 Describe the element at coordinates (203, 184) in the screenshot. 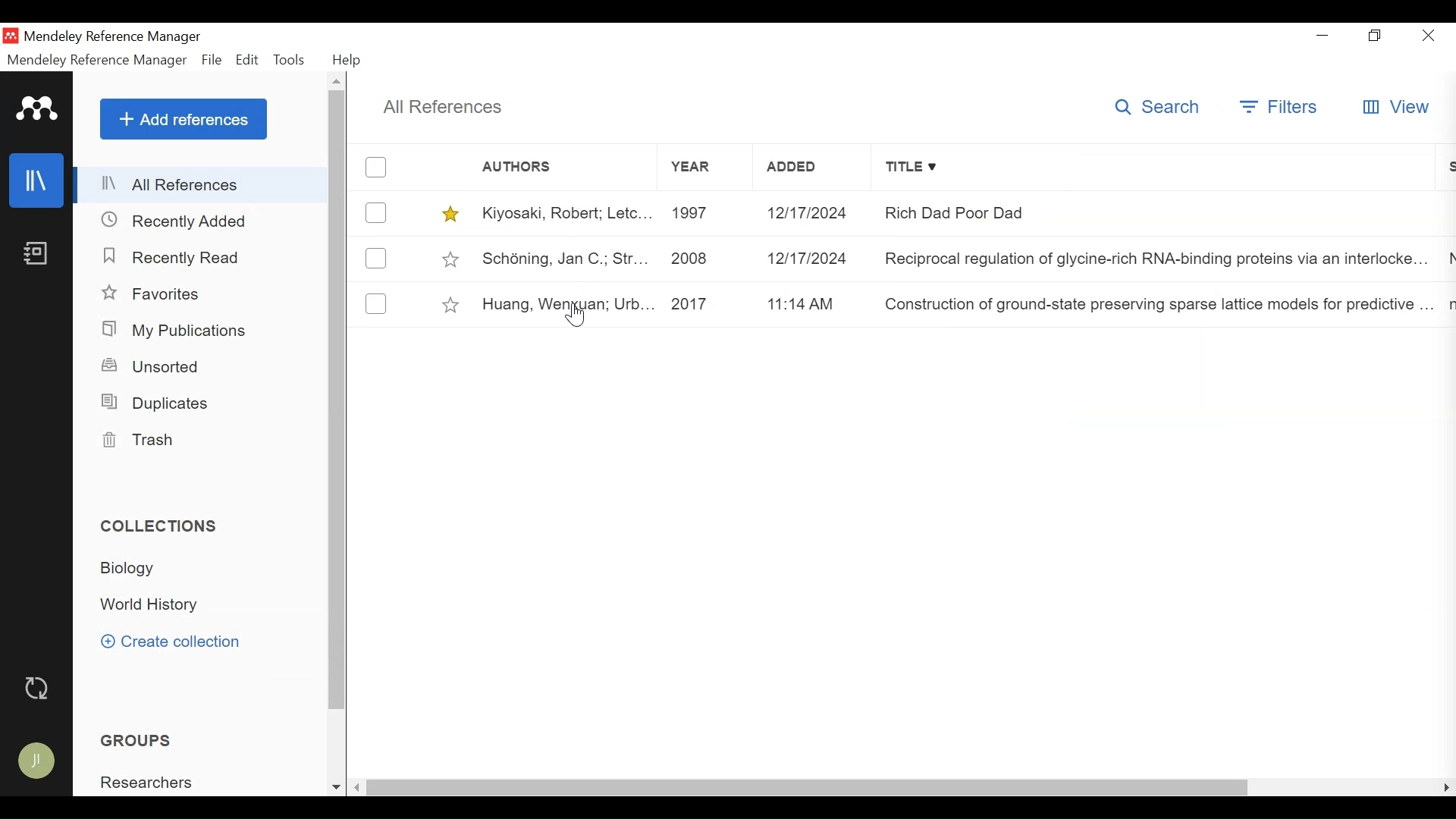

I see `All References` at that location.